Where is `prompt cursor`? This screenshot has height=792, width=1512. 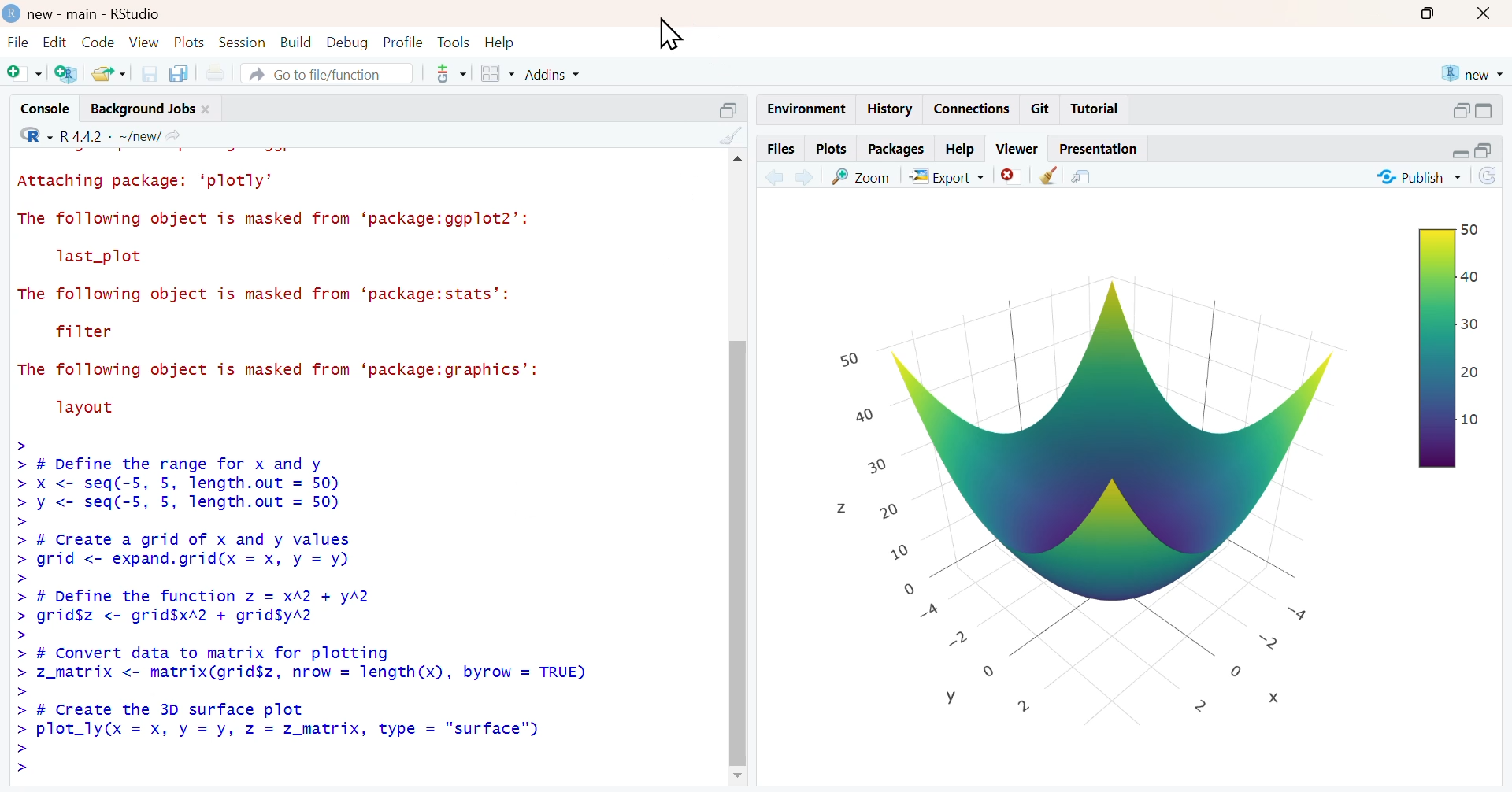 prompt cursor is located at coordinates (18, 761).